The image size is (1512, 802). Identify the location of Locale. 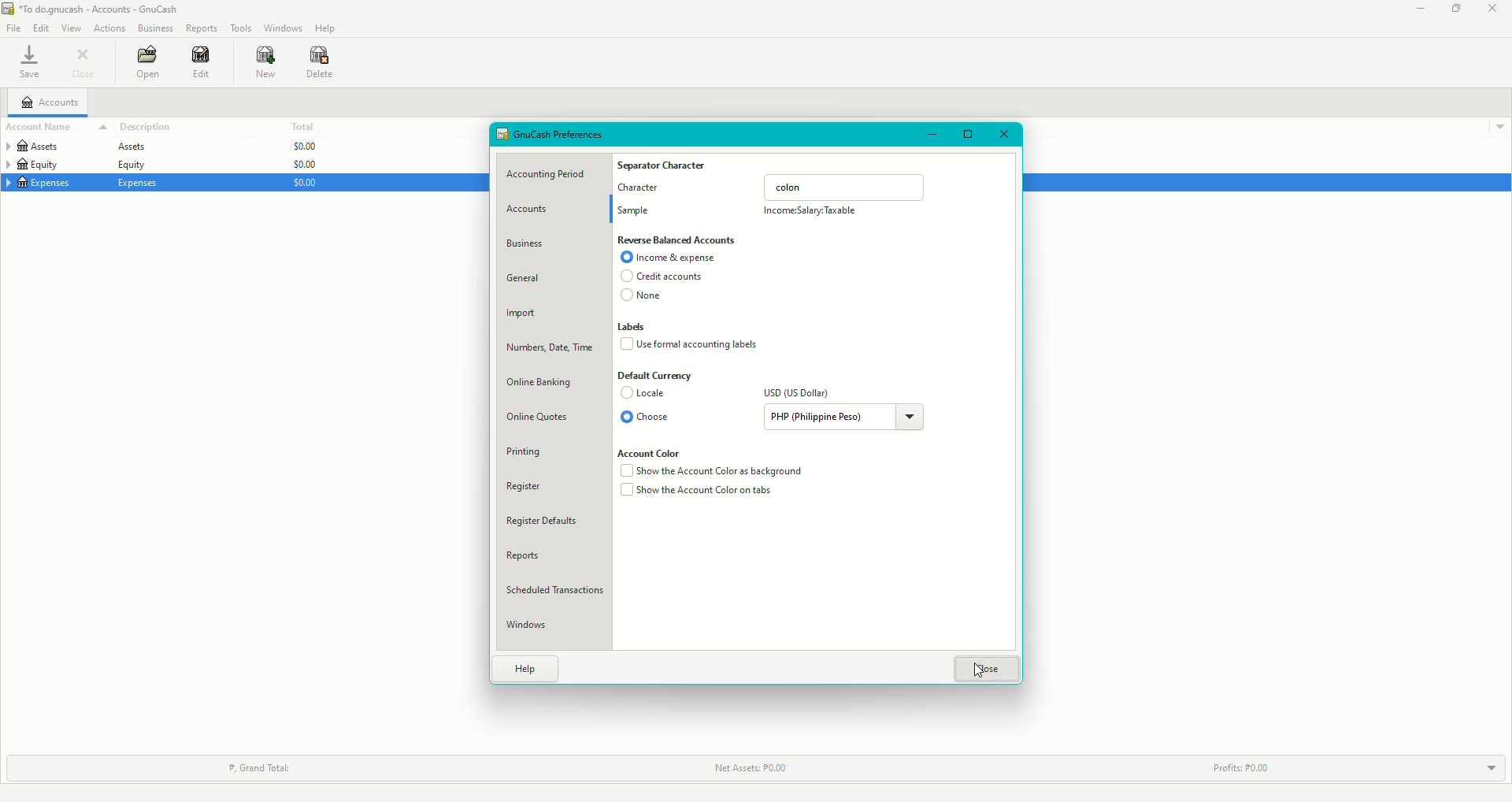
(647, 394).